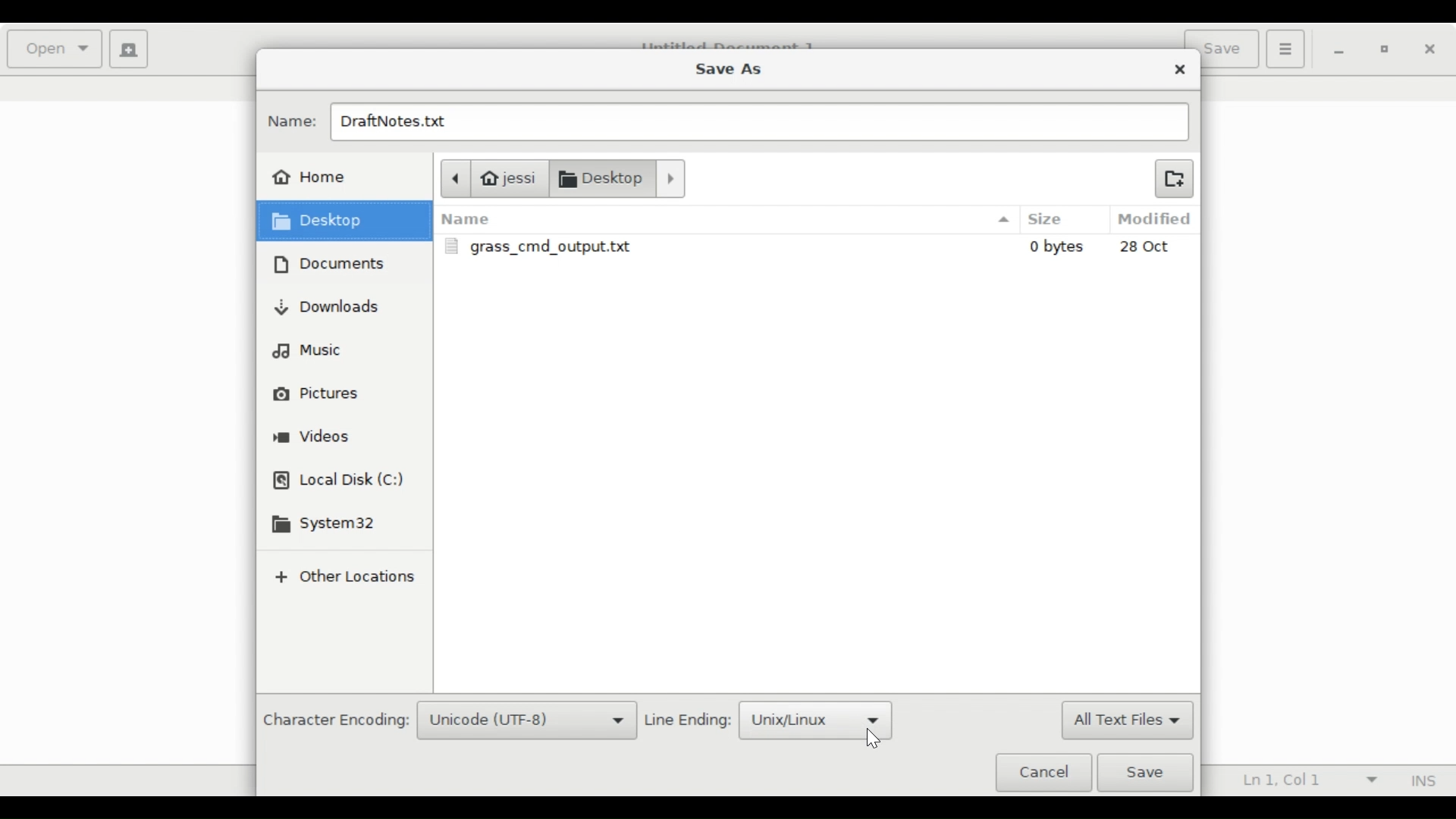  I want to click on Documents, so click(624, 178).